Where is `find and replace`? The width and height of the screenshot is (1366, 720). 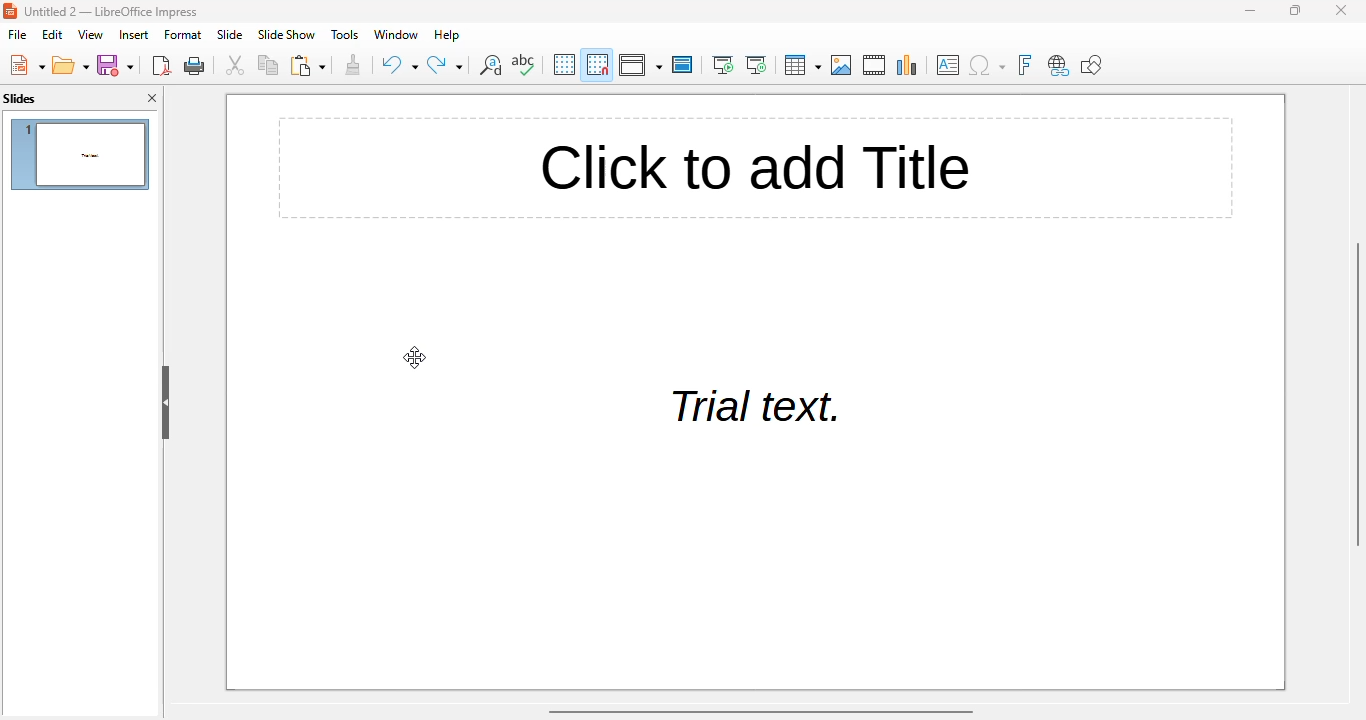
find and replace is located at coordinates (489, 65).